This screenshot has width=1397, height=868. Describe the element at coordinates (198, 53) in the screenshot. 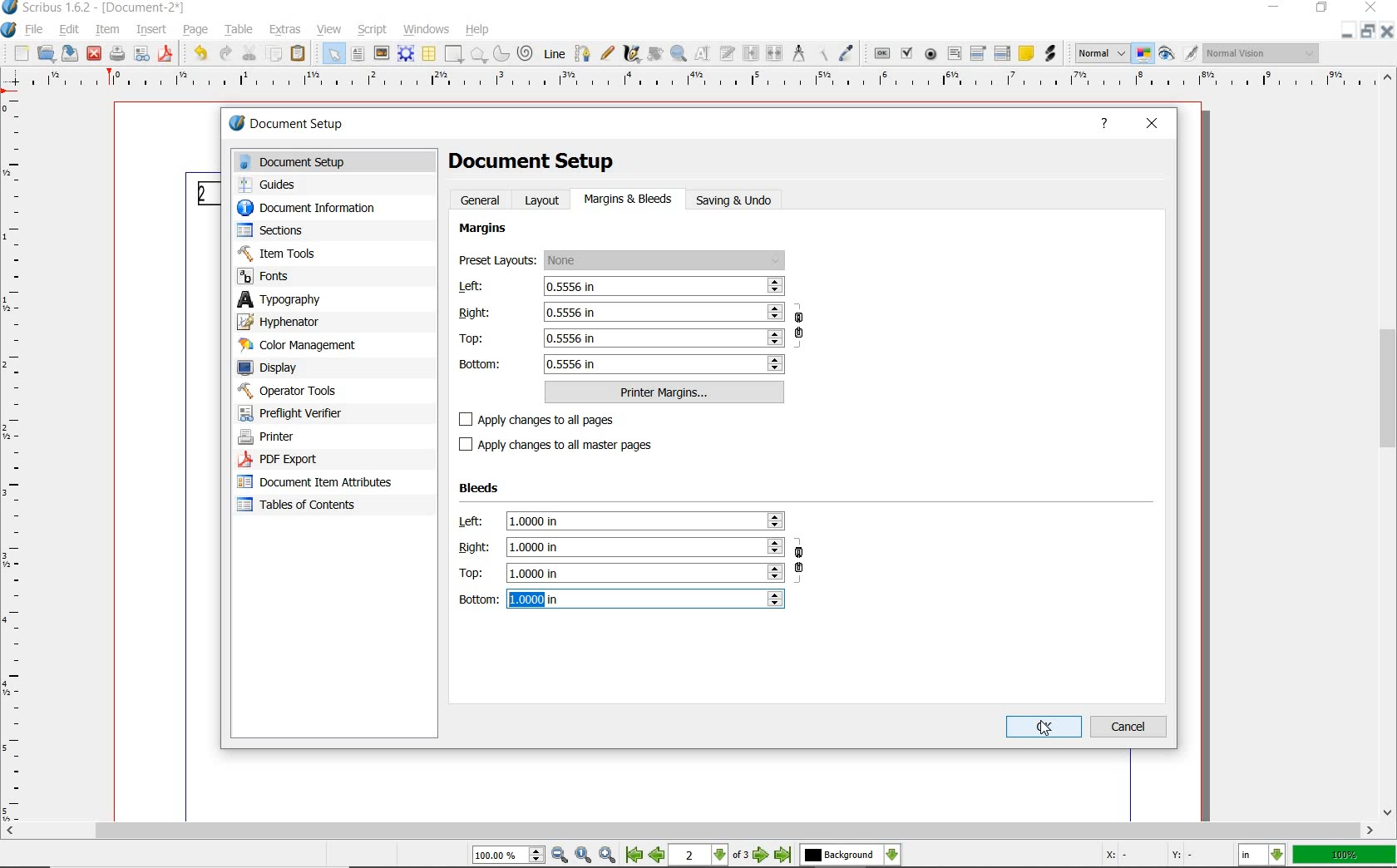

I see `undo` at that location.